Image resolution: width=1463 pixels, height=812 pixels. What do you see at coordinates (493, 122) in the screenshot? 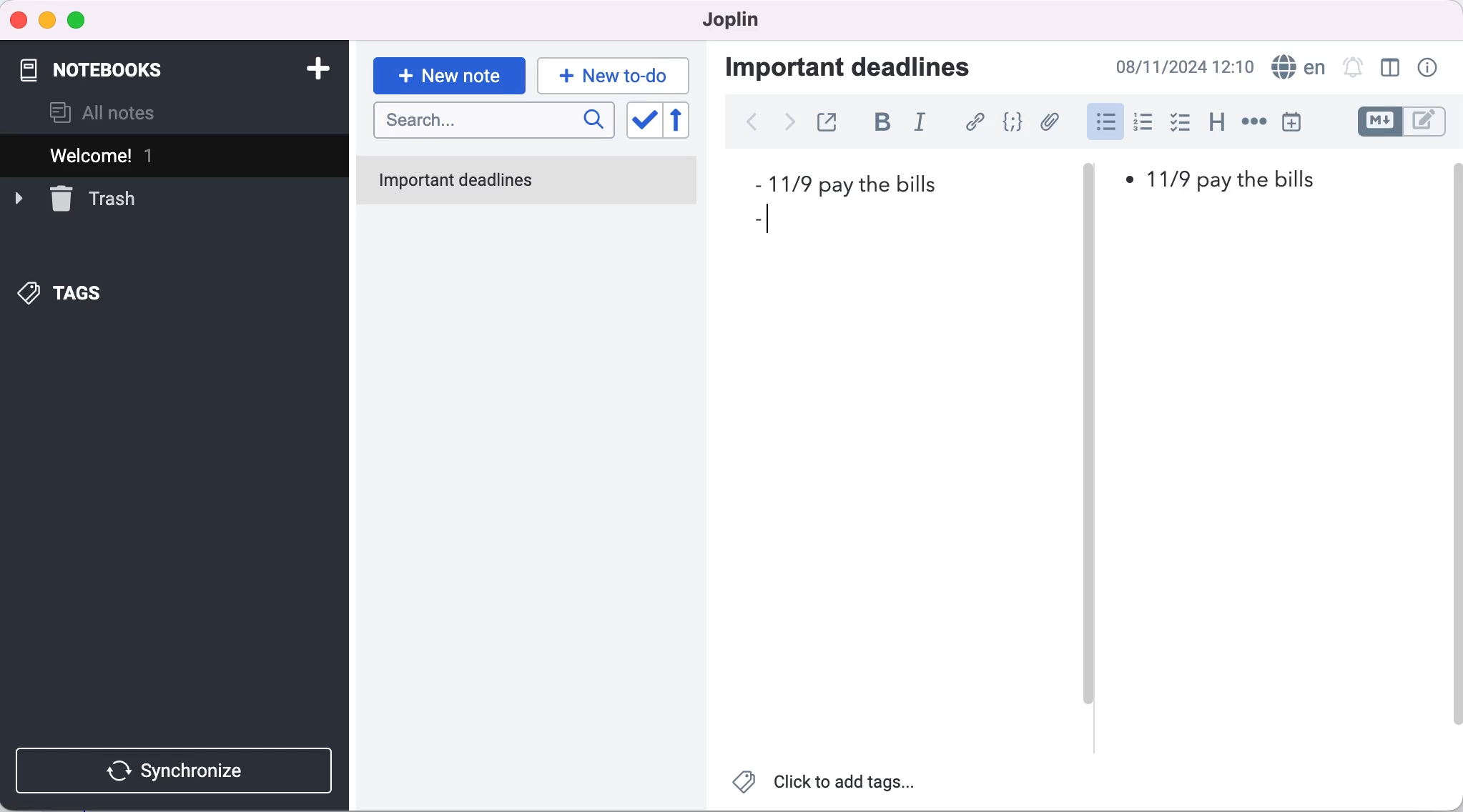
I see `search` at bounding box center [493, 122].